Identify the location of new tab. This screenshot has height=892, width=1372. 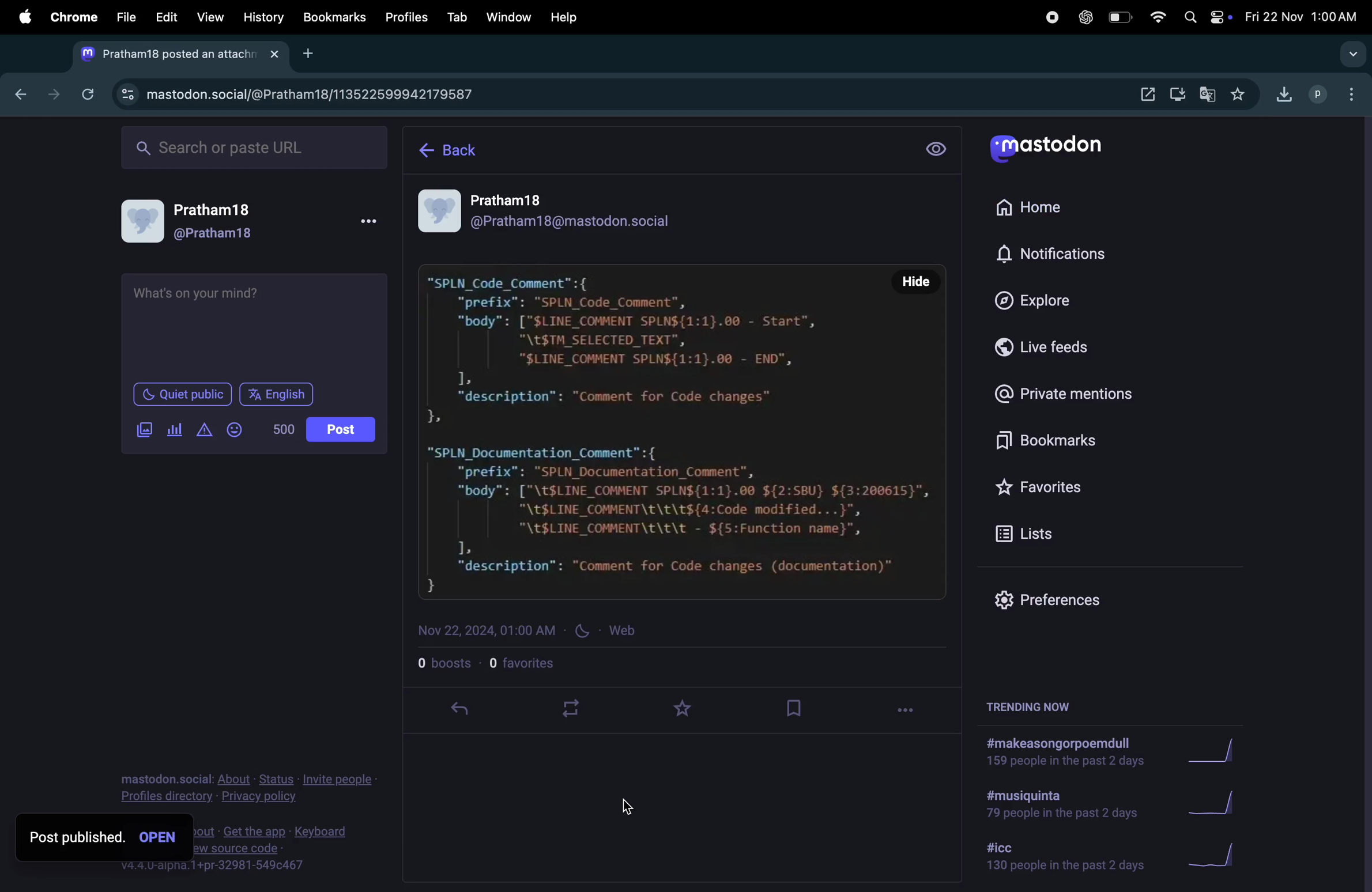
(309, 53).